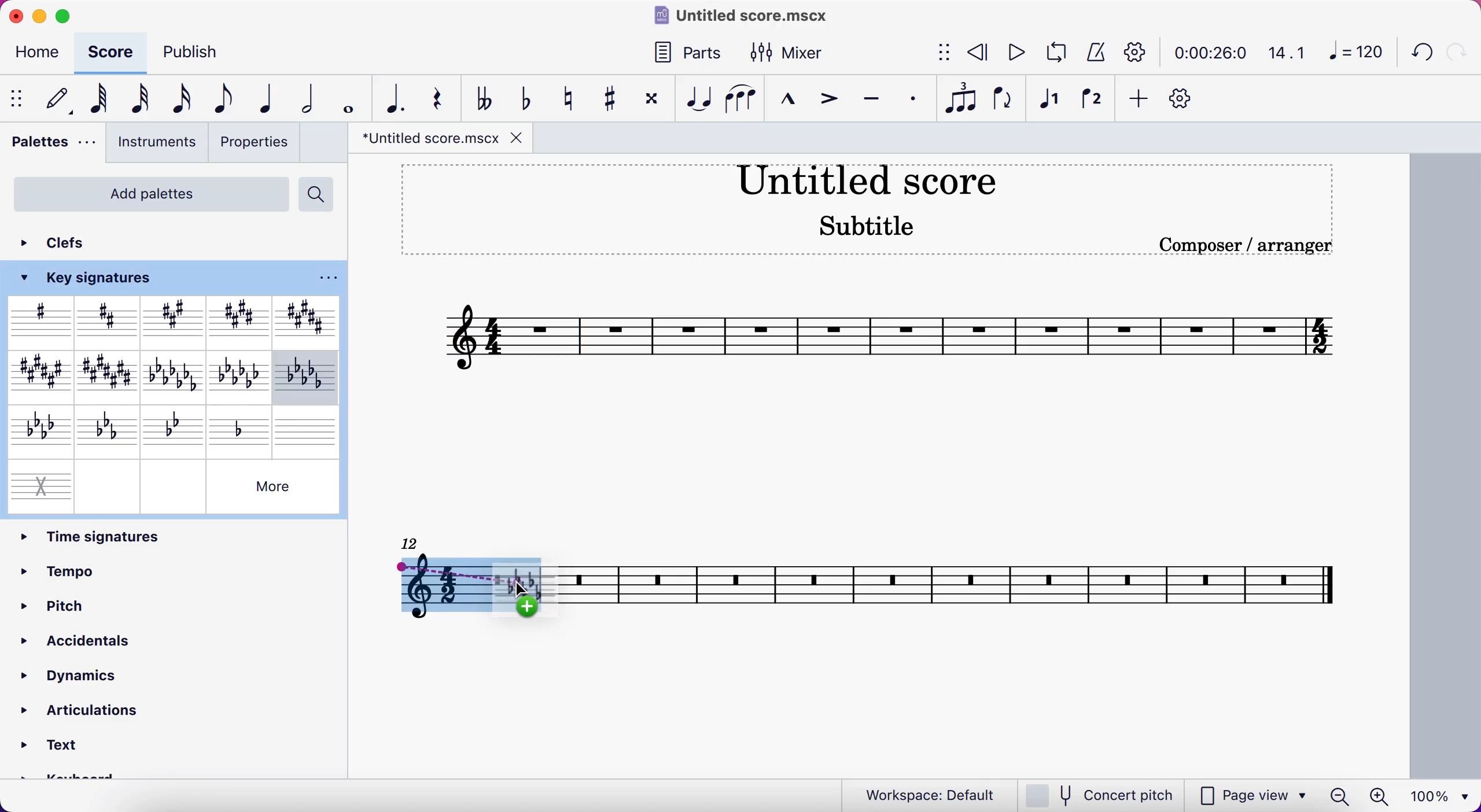 The width and height of the screenshot is (1481, 812). I want to click on dynamics, so click(91, 672).